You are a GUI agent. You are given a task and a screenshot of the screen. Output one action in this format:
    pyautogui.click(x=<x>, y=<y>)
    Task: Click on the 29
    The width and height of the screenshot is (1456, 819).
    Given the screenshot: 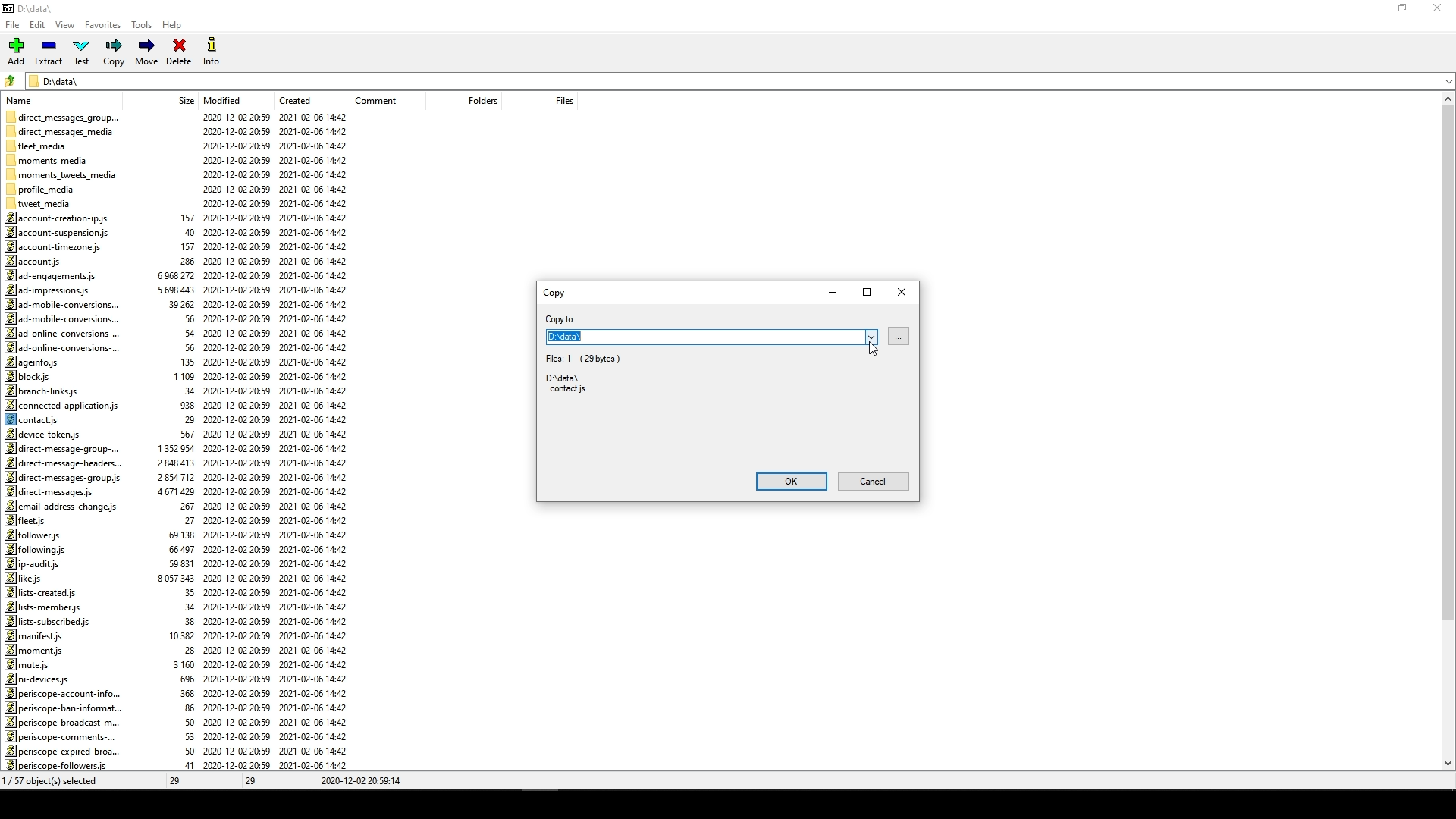 What is the action you would take?
    pyautogui.click(x=254, y=782)
    